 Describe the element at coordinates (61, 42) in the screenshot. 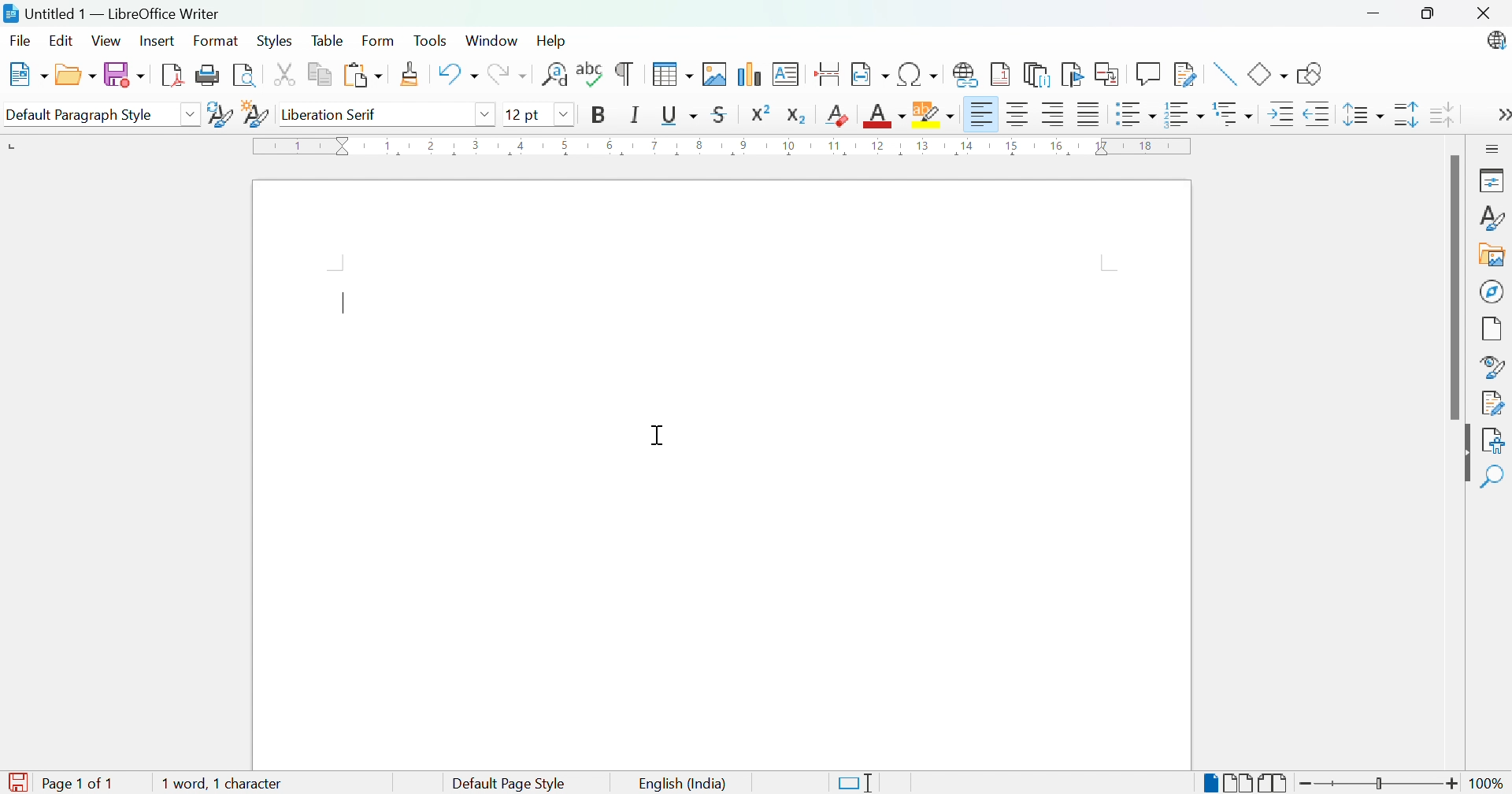

I see `Edit` at that location.